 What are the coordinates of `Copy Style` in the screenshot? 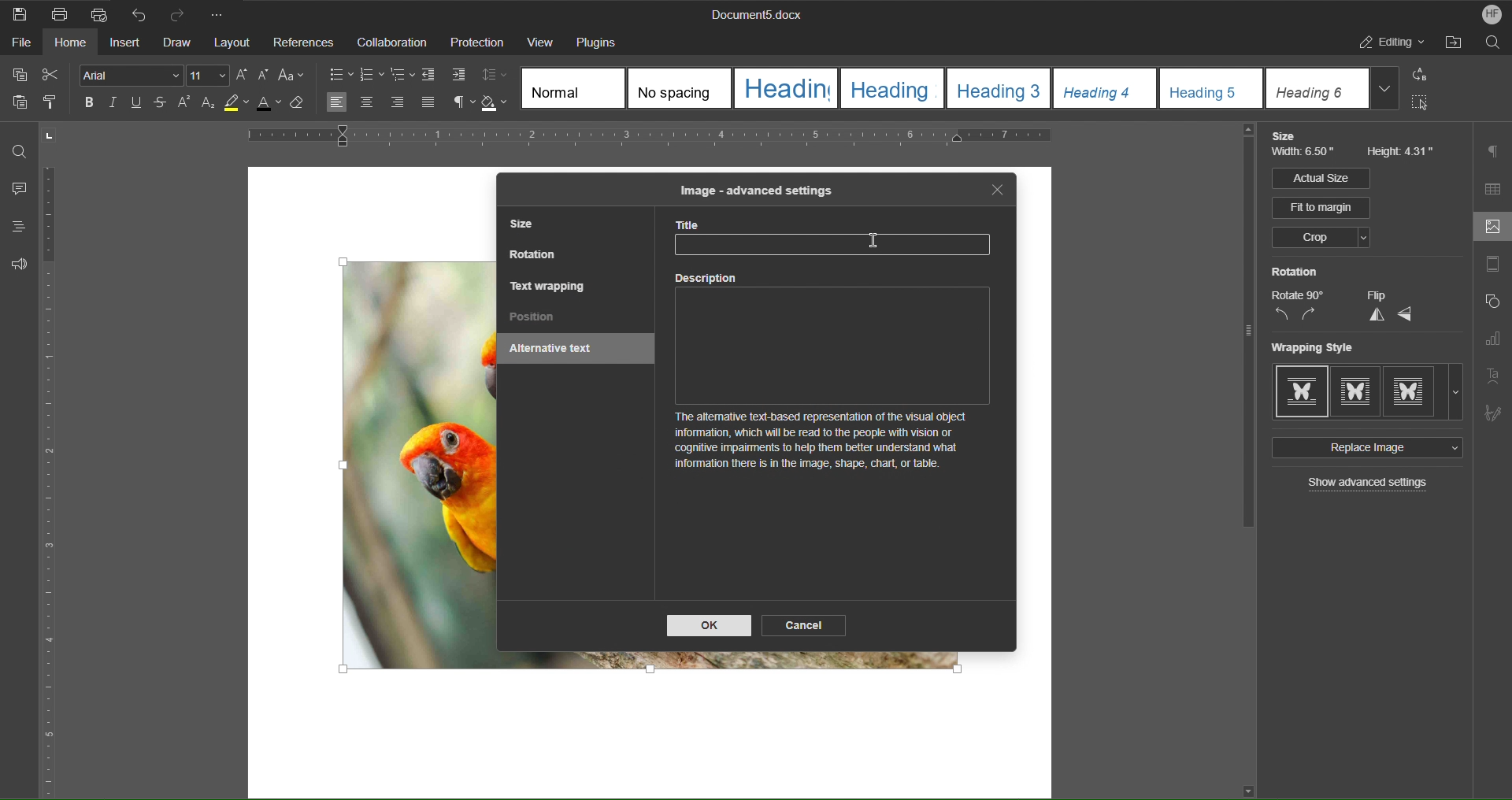 It's located at (56, 103).